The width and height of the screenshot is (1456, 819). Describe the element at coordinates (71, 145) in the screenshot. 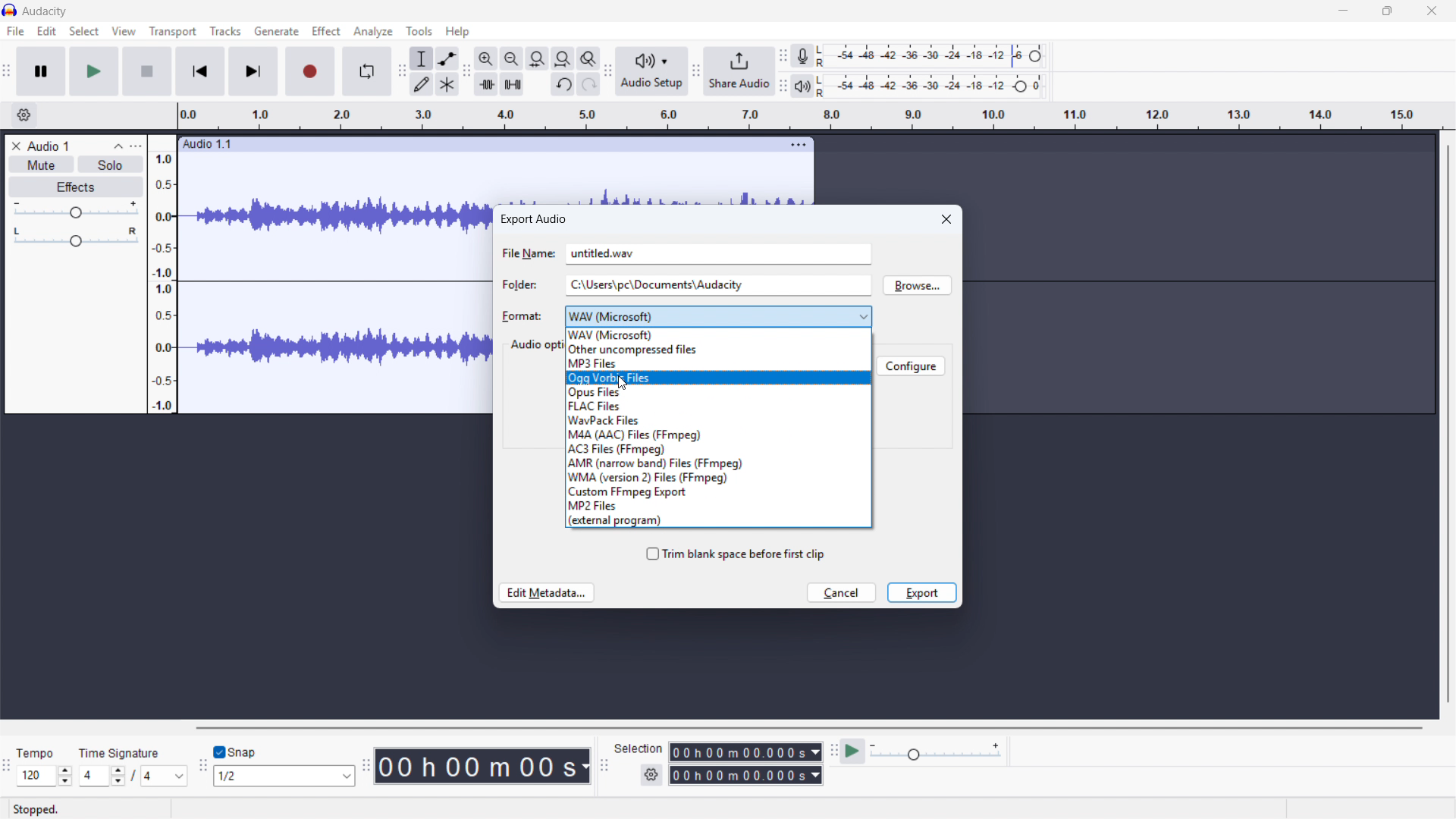

I see `Track title ` at that location.